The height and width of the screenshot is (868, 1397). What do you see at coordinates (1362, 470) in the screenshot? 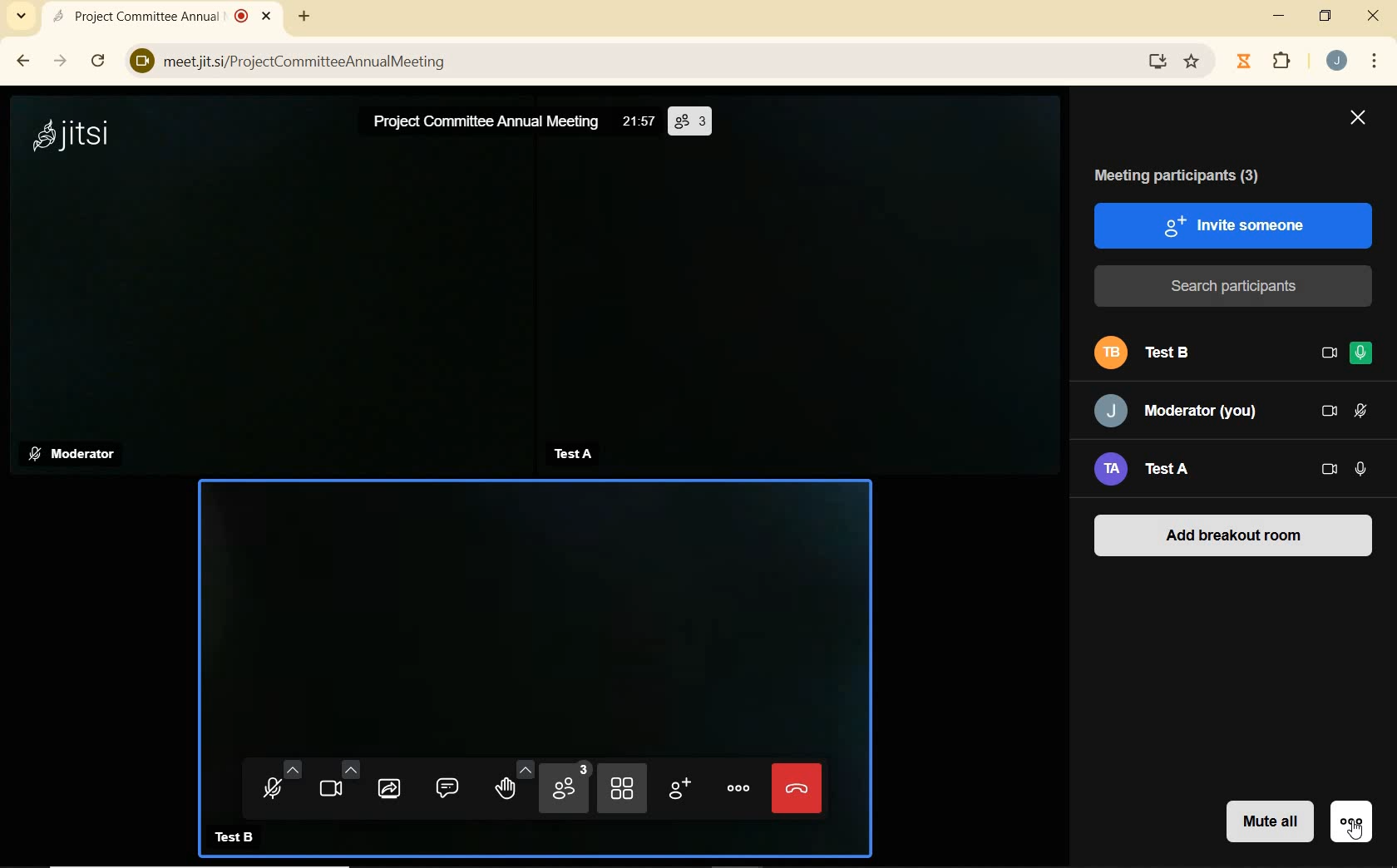
I see `MICROPHONE` at bounding box center [1362, 470].